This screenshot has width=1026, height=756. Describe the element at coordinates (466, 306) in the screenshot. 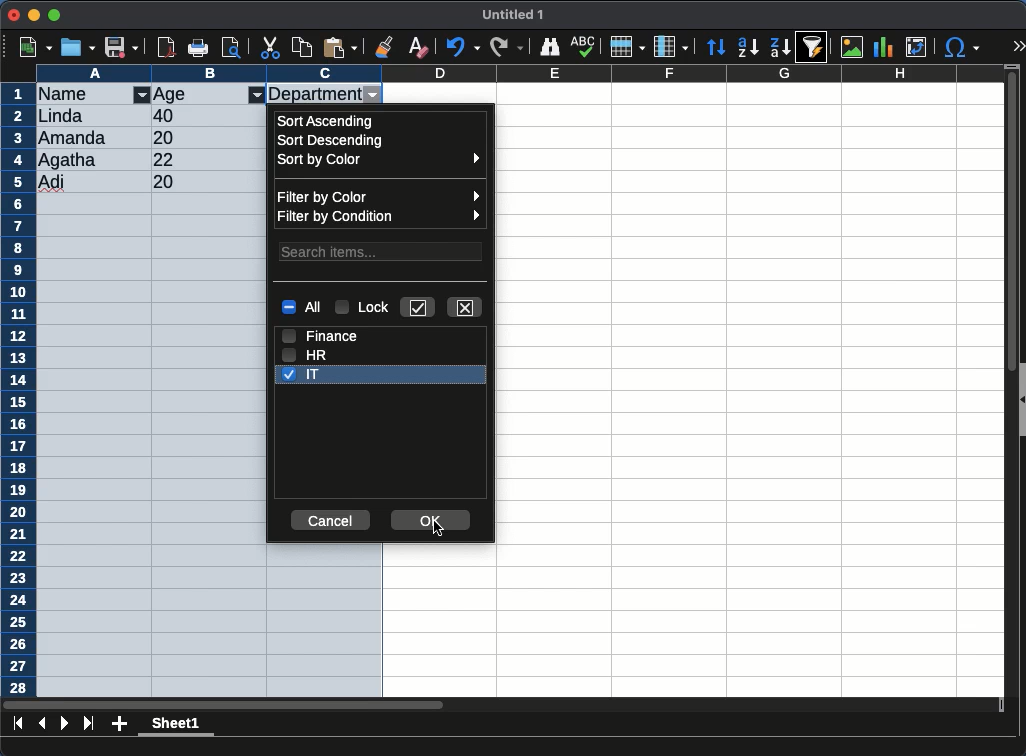

I see `close` at that location.